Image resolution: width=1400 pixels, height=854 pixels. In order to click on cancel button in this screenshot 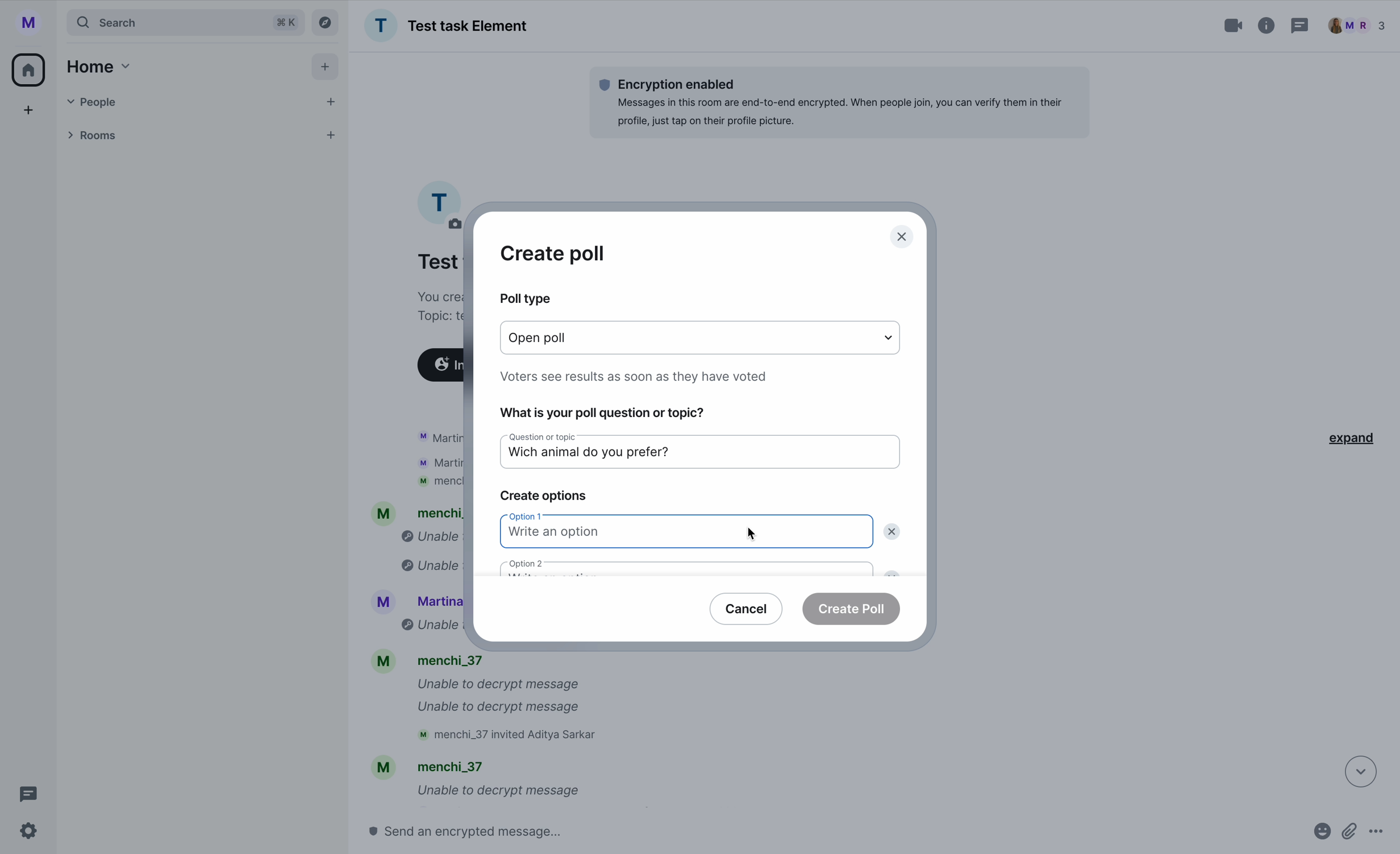, I will do `click(747, 607)`.